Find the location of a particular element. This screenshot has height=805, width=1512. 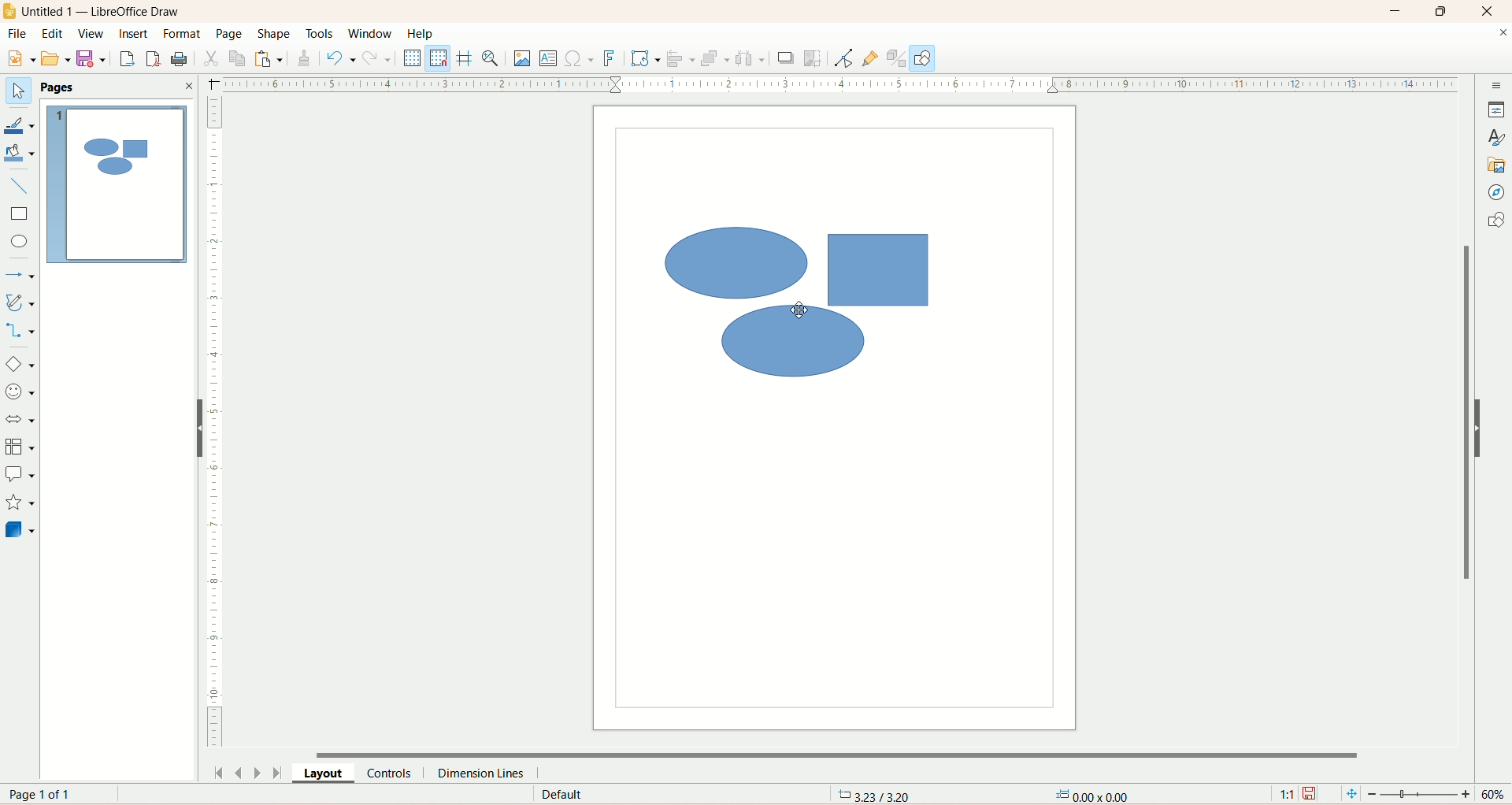

hide is located at coordinates (199, 428).